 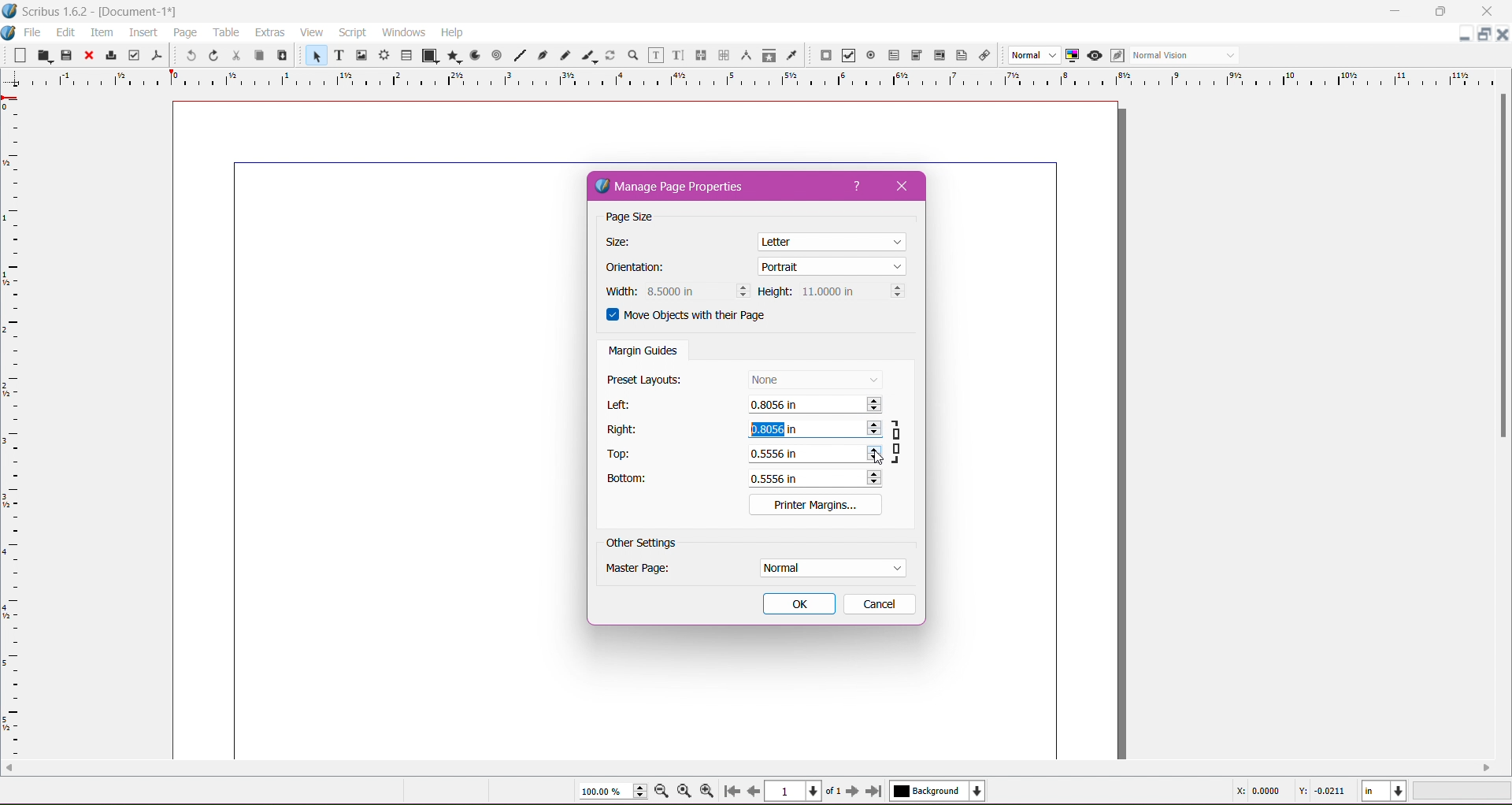 What do you see at coordinates (225, 32) in the screenshot?
I see `Table` at bounding box center [225, 32].